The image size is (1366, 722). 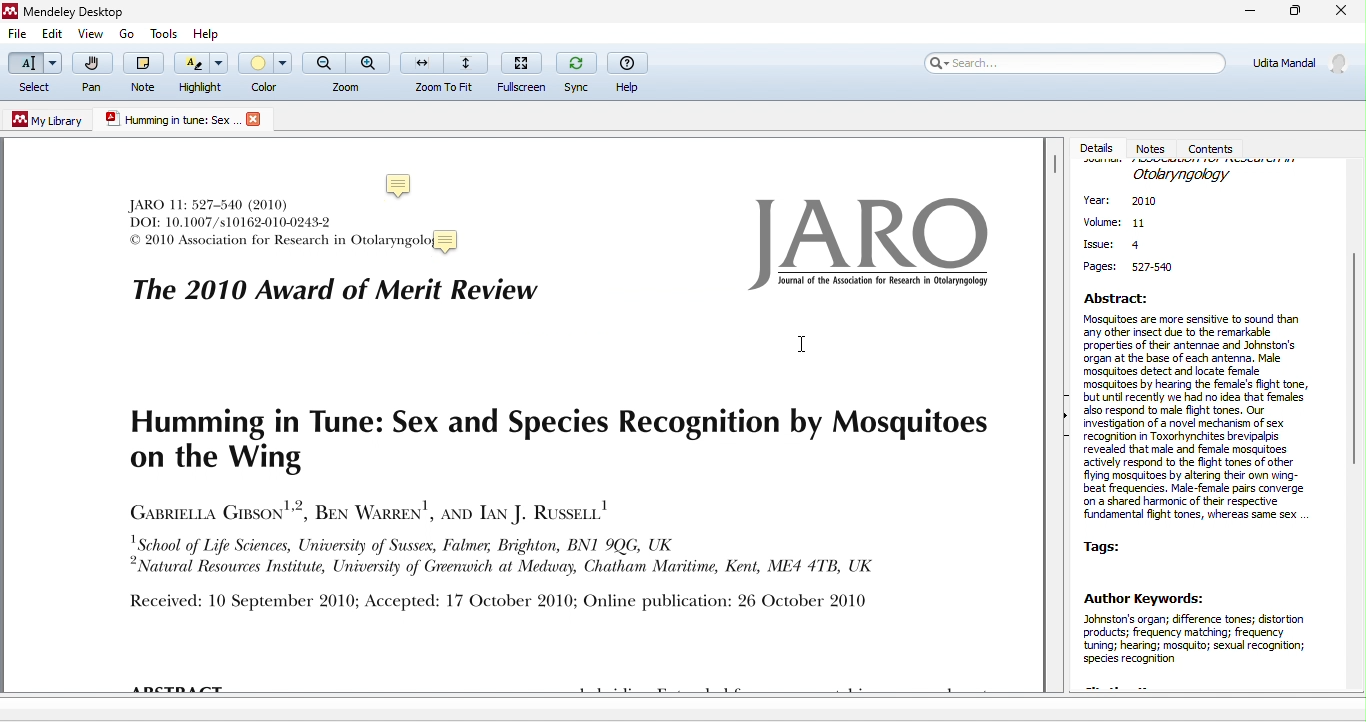 What do you see at coordinates (235, 222) in the screenshot?
I see `journal text` at bounding box center [235, 222].